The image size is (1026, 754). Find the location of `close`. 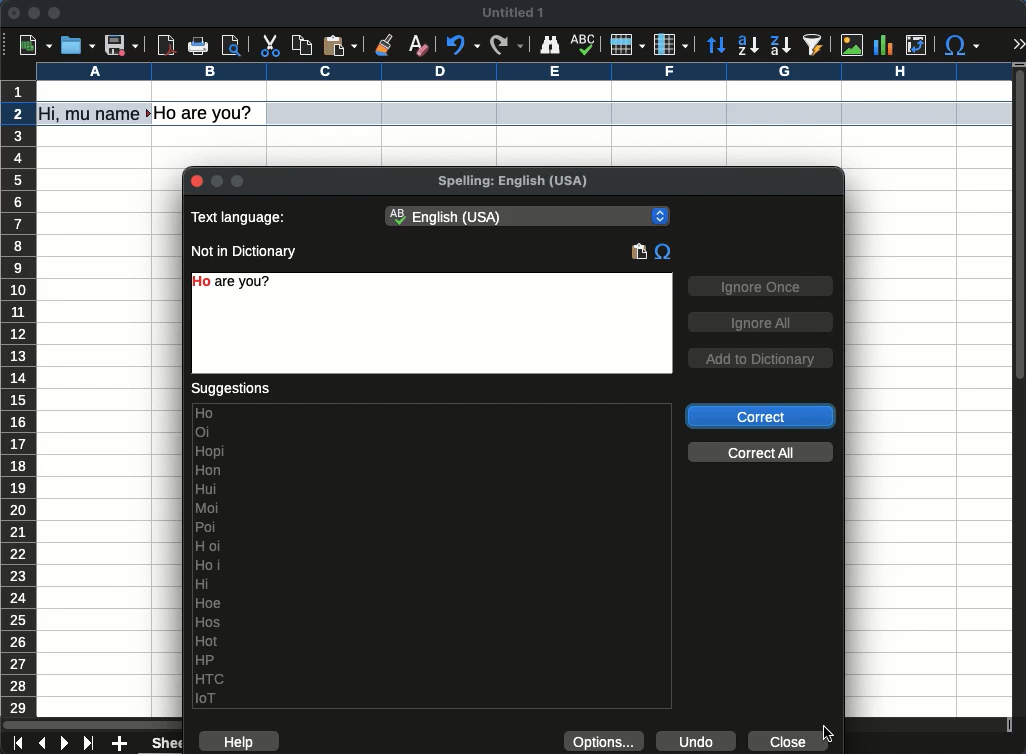

close is located at coordinates (13, 13).